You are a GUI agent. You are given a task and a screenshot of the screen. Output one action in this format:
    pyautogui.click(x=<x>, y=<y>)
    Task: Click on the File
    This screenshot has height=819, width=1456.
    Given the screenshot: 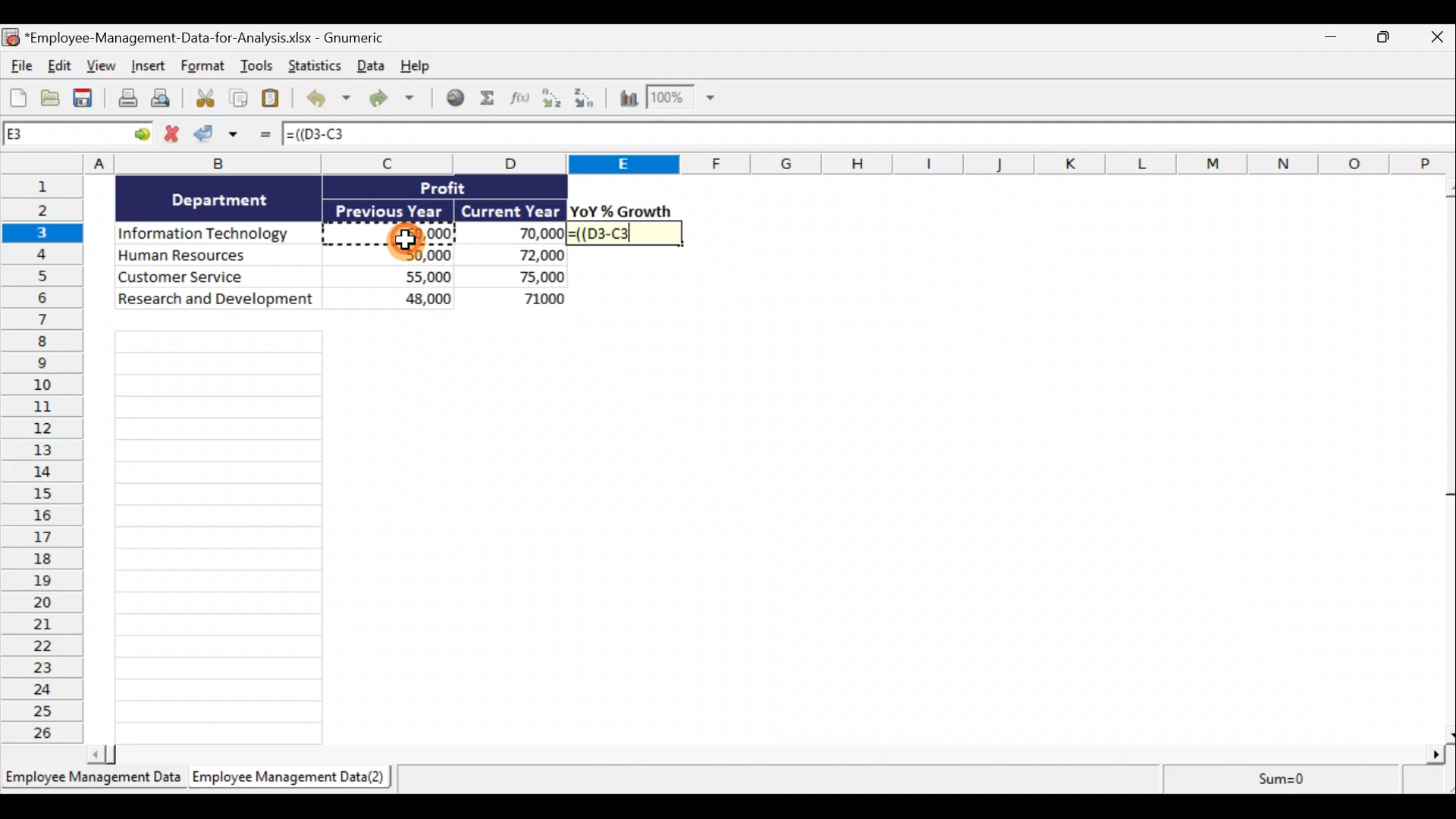 What is the action you would take?
    pyautogui.click(x=19, y=64)
    